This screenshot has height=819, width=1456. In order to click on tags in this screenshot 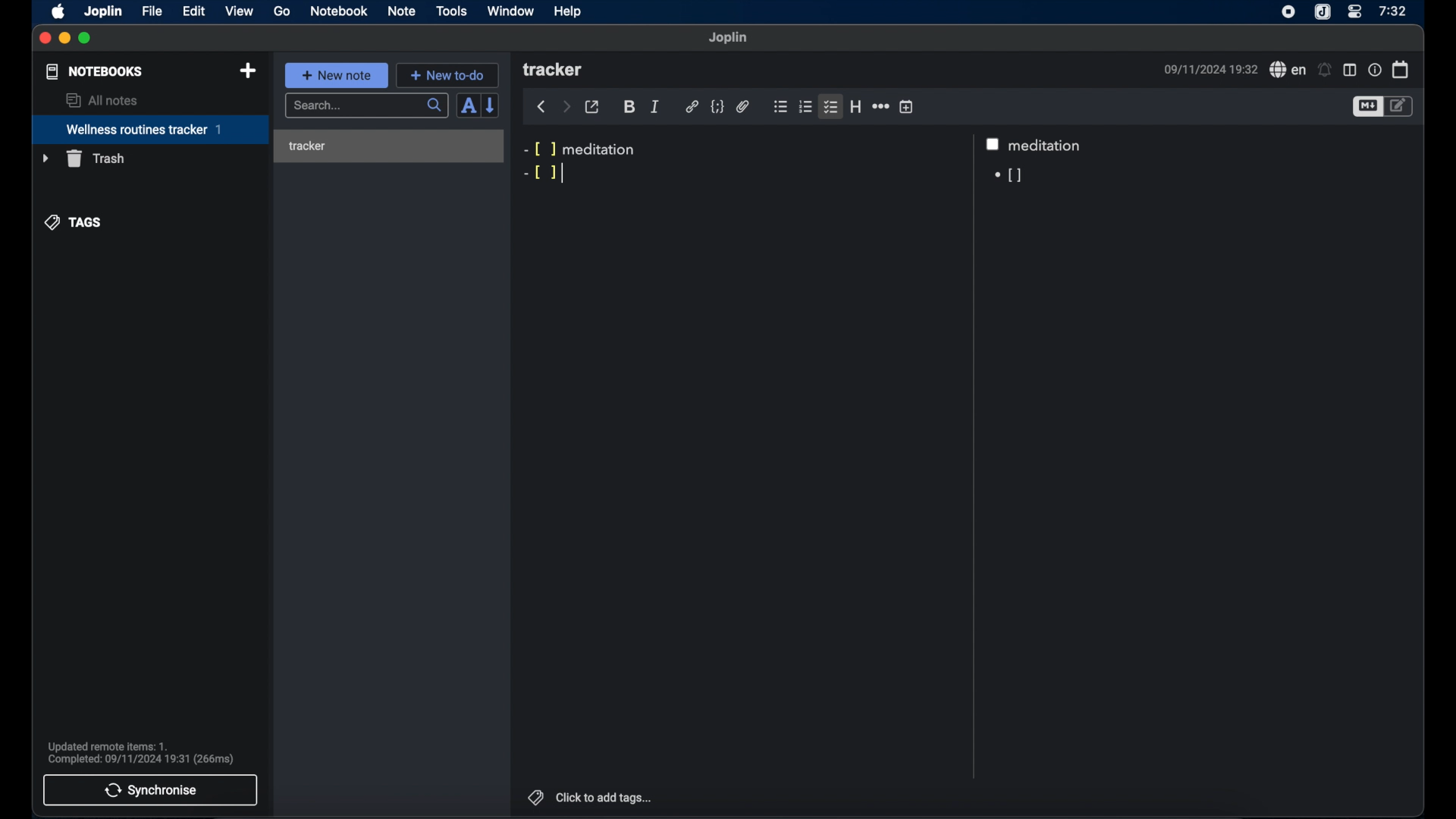, I will do `click(74, 223)`.